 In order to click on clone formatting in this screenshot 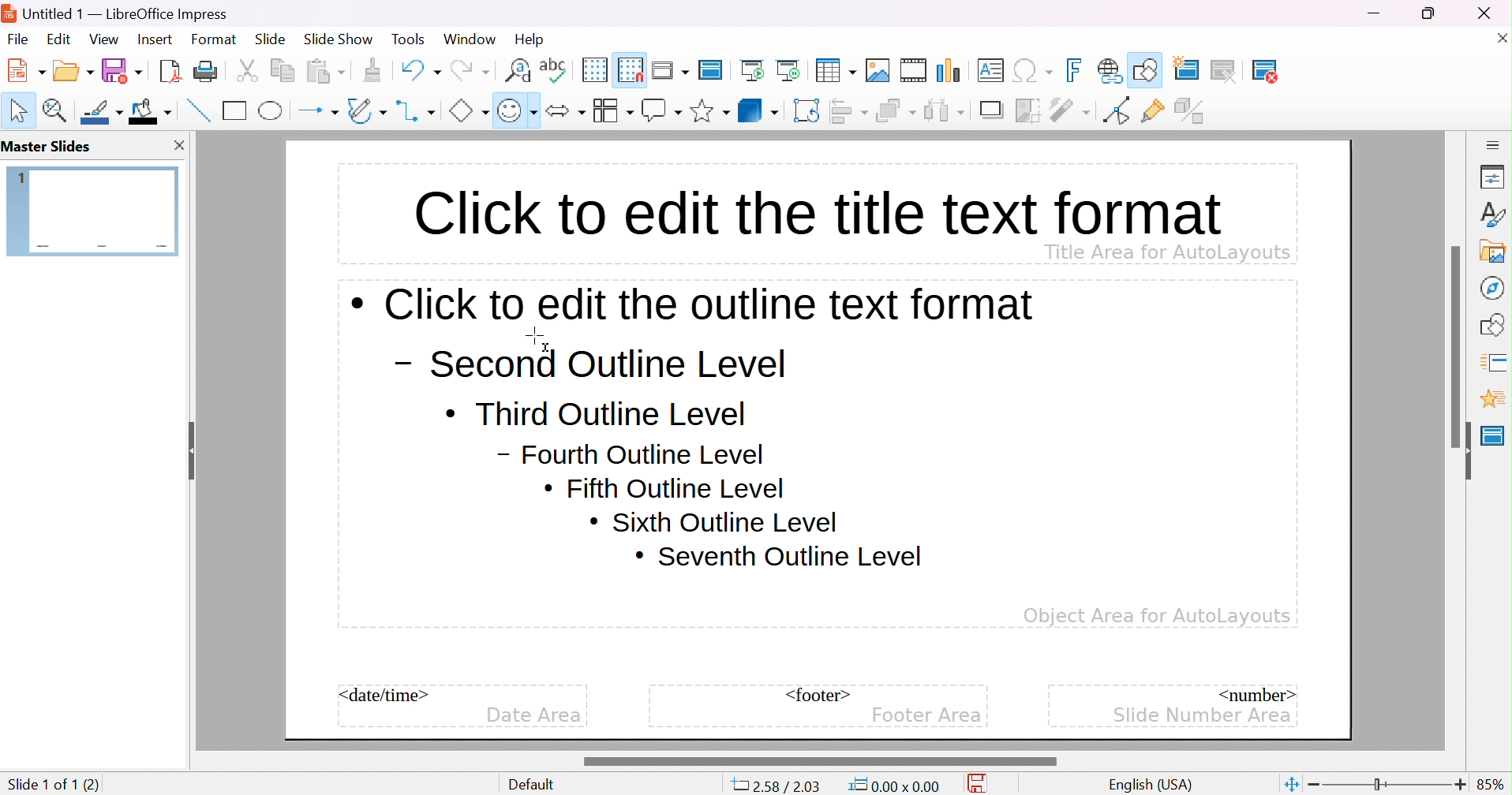, I will do `click(372, 70)`.